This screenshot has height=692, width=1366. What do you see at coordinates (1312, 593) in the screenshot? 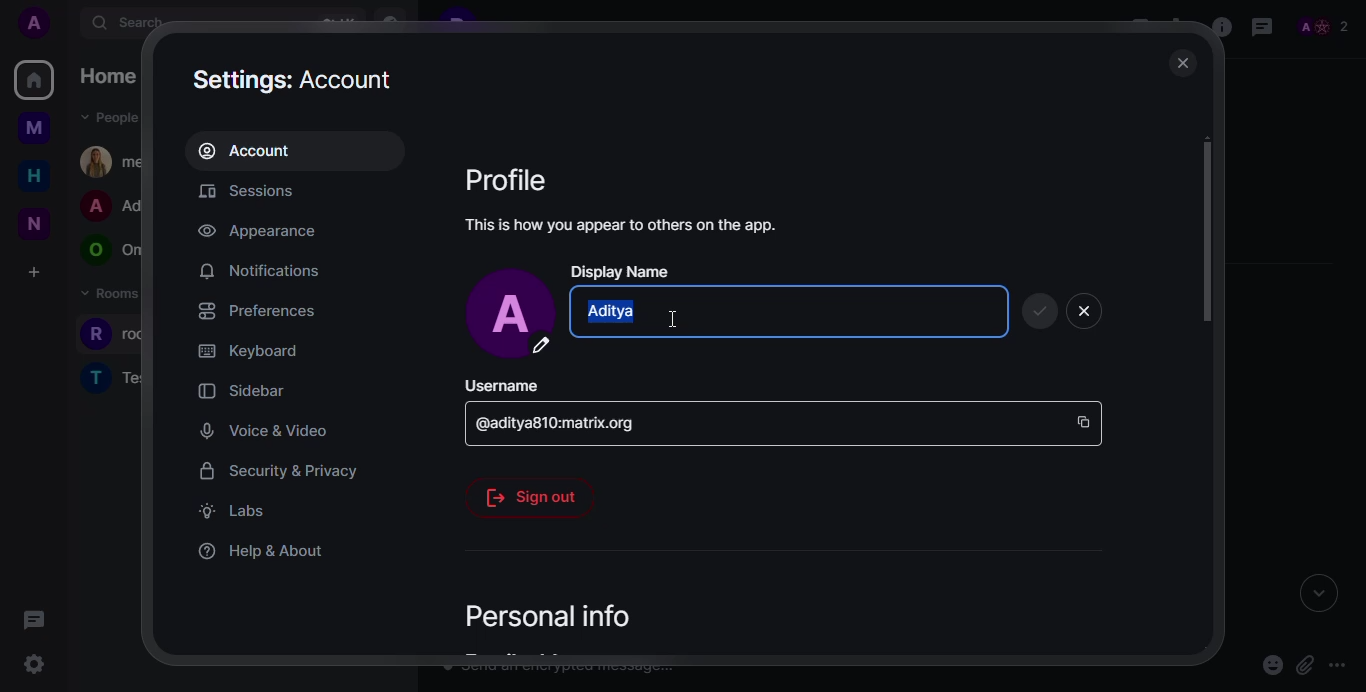
I see `expand` at bounding box center [1312, 593].